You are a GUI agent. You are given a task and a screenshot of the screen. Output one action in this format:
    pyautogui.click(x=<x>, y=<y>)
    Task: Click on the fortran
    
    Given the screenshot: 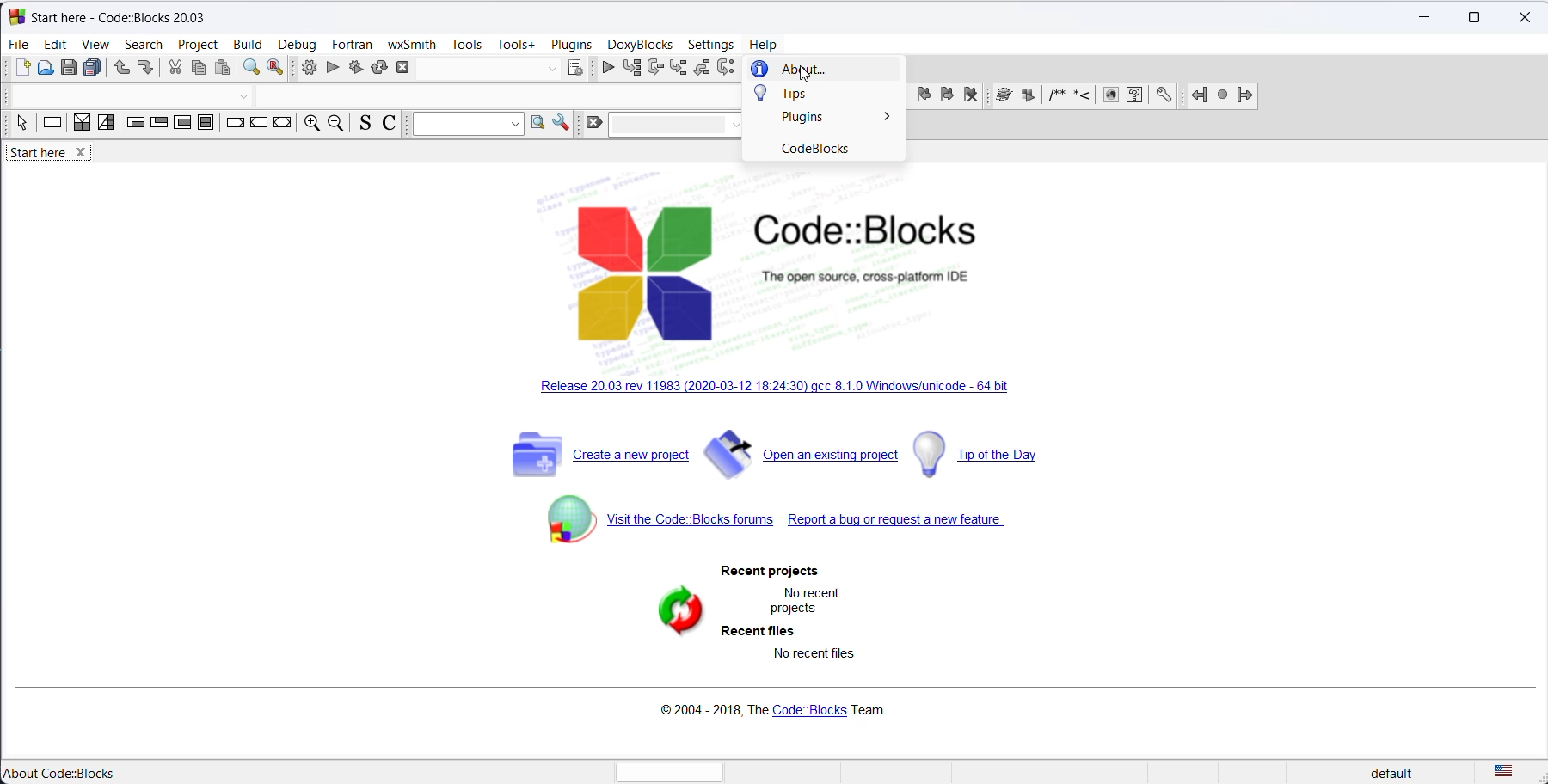 What is the action you would take?
    pyautogui.click(x=351, y=44)
    